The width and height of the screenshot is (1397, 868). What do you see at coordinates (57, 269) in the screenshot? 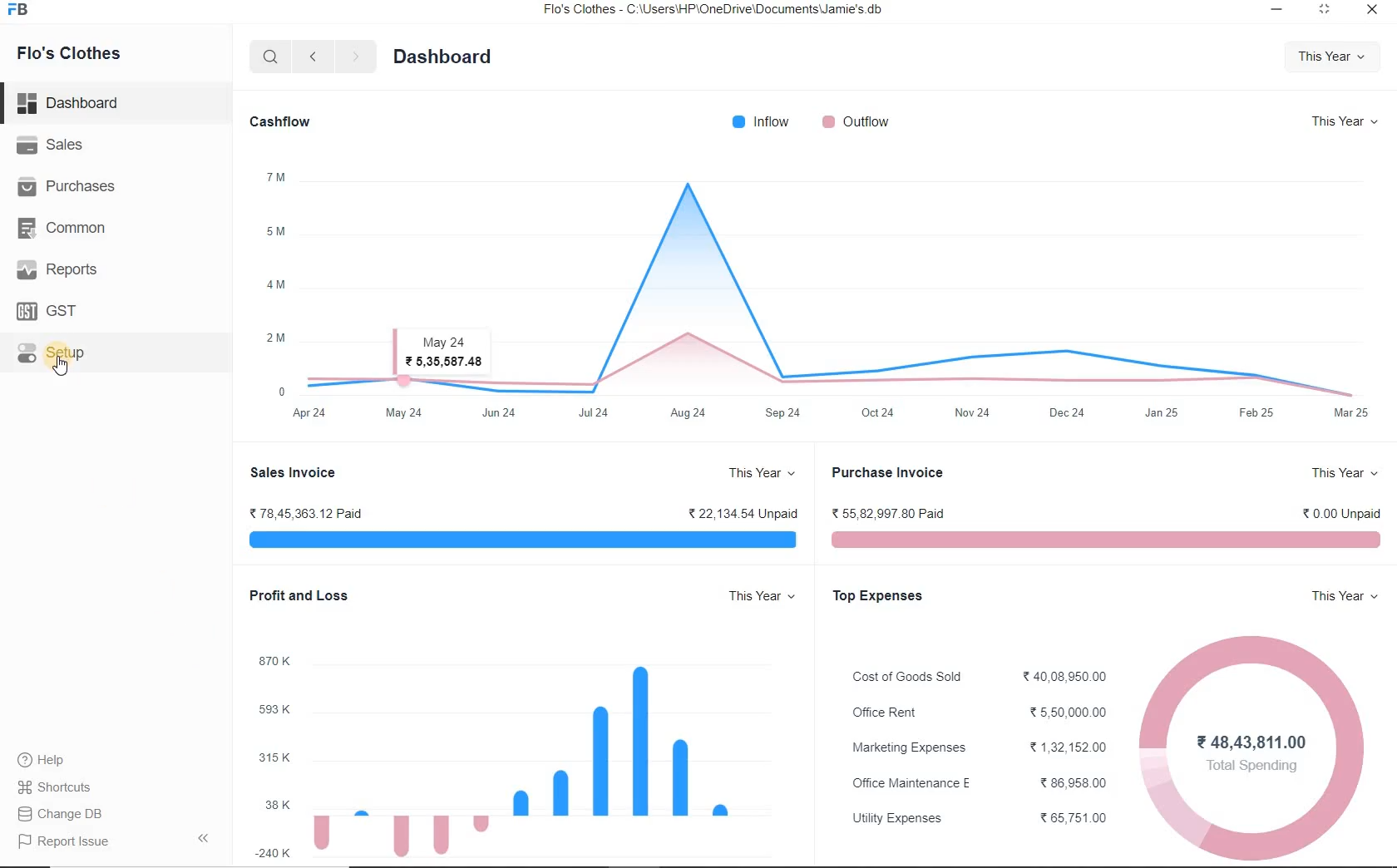
I see `Reports` at bounding box center [57, 269].